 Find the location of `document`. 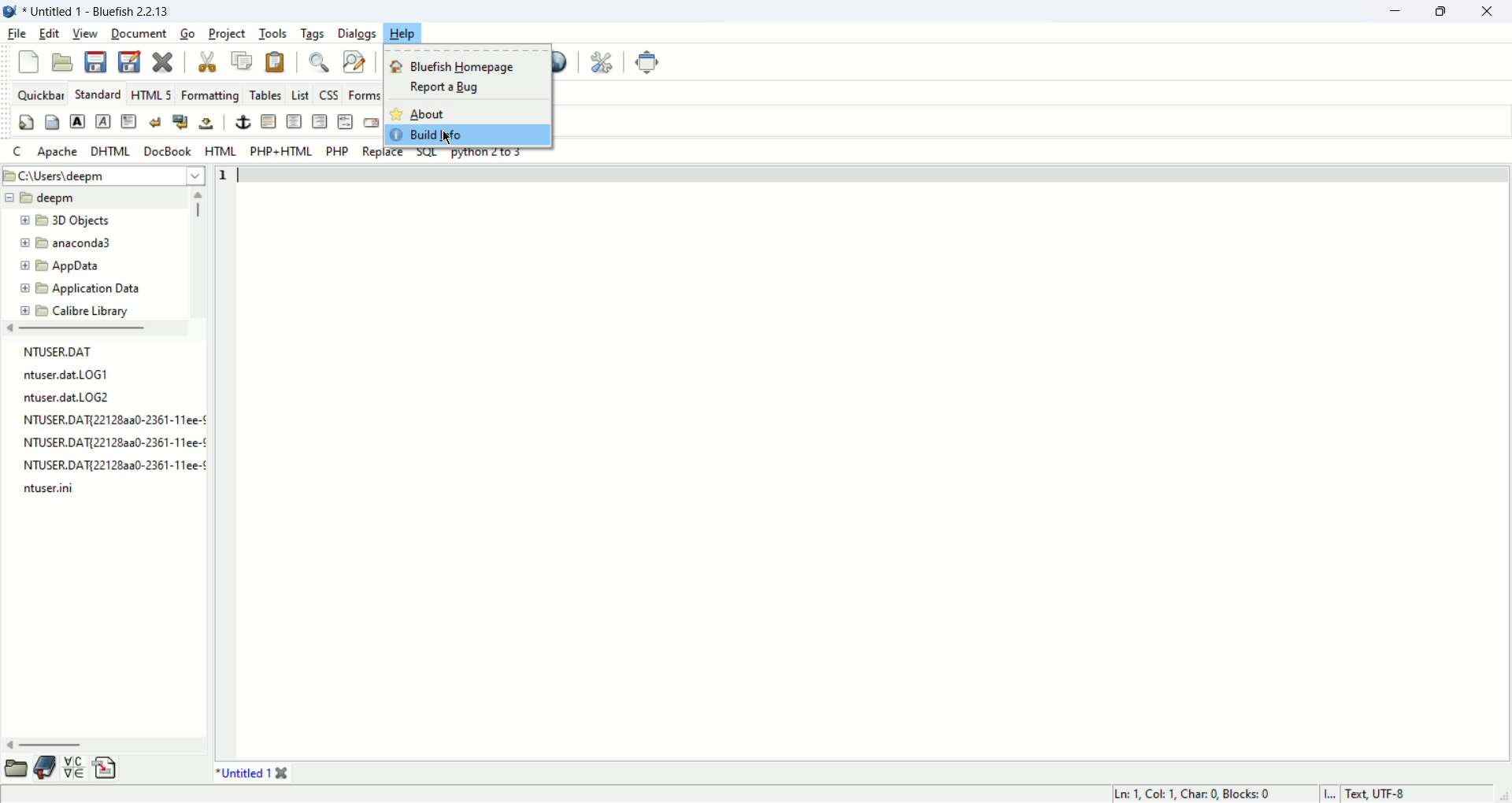

document is located at coordinates (139, 35).